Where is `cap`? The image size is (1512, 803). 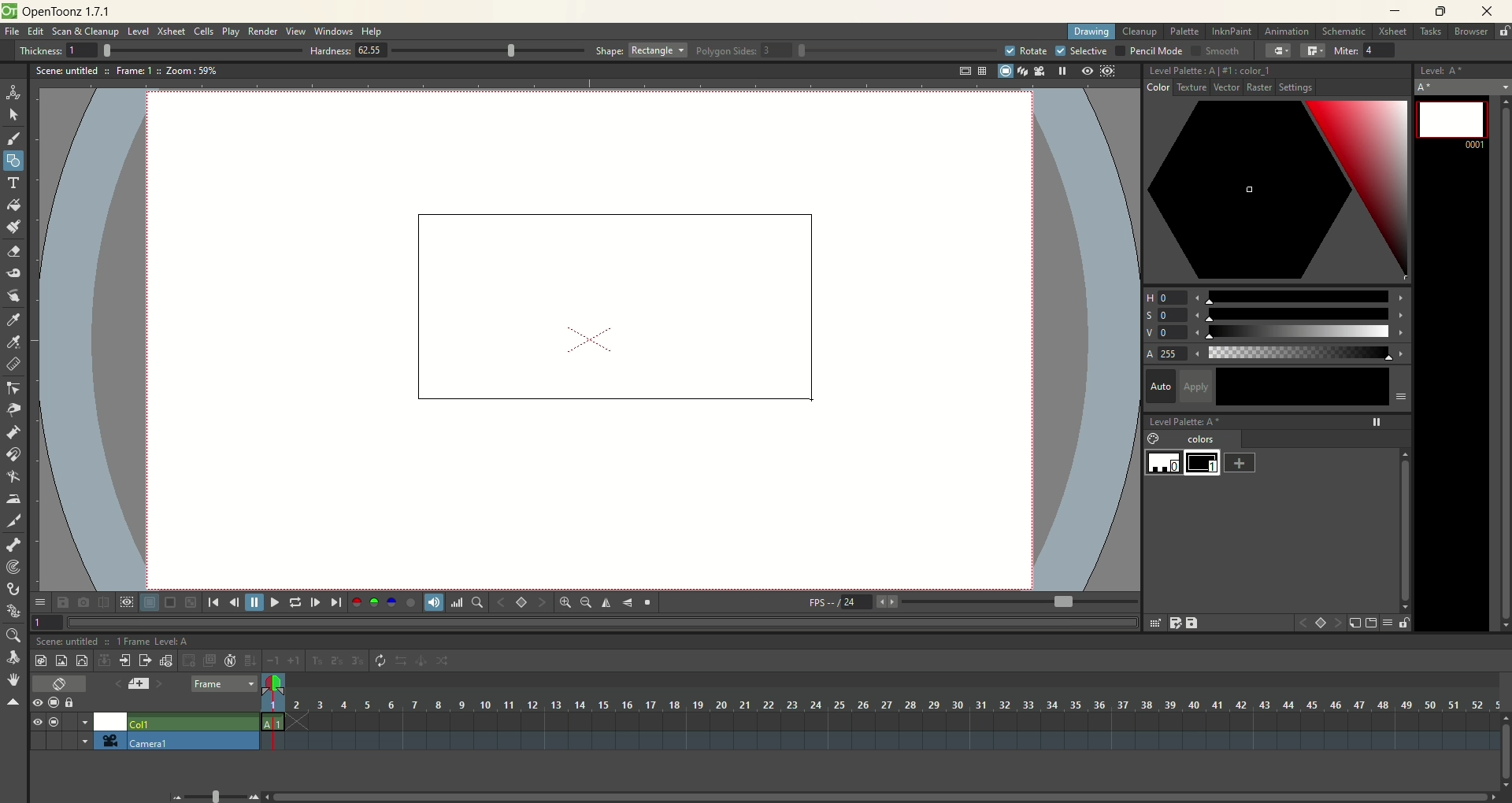 cap is located at coordinates (1279, 51).